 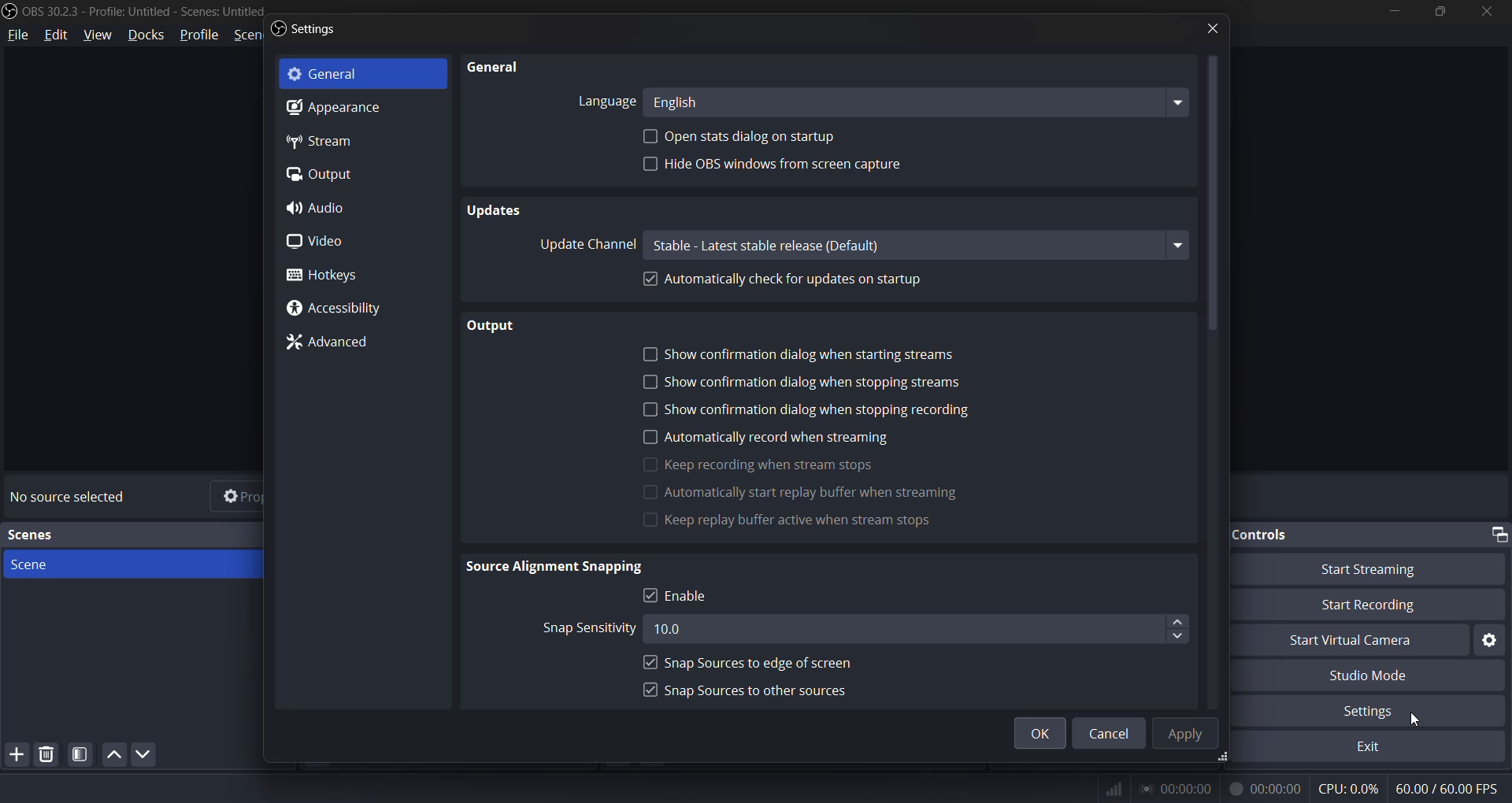 What do you see at coordinates (650, 594) in the screenshot?
I see `checkbox` at bounding box center [650, 594].